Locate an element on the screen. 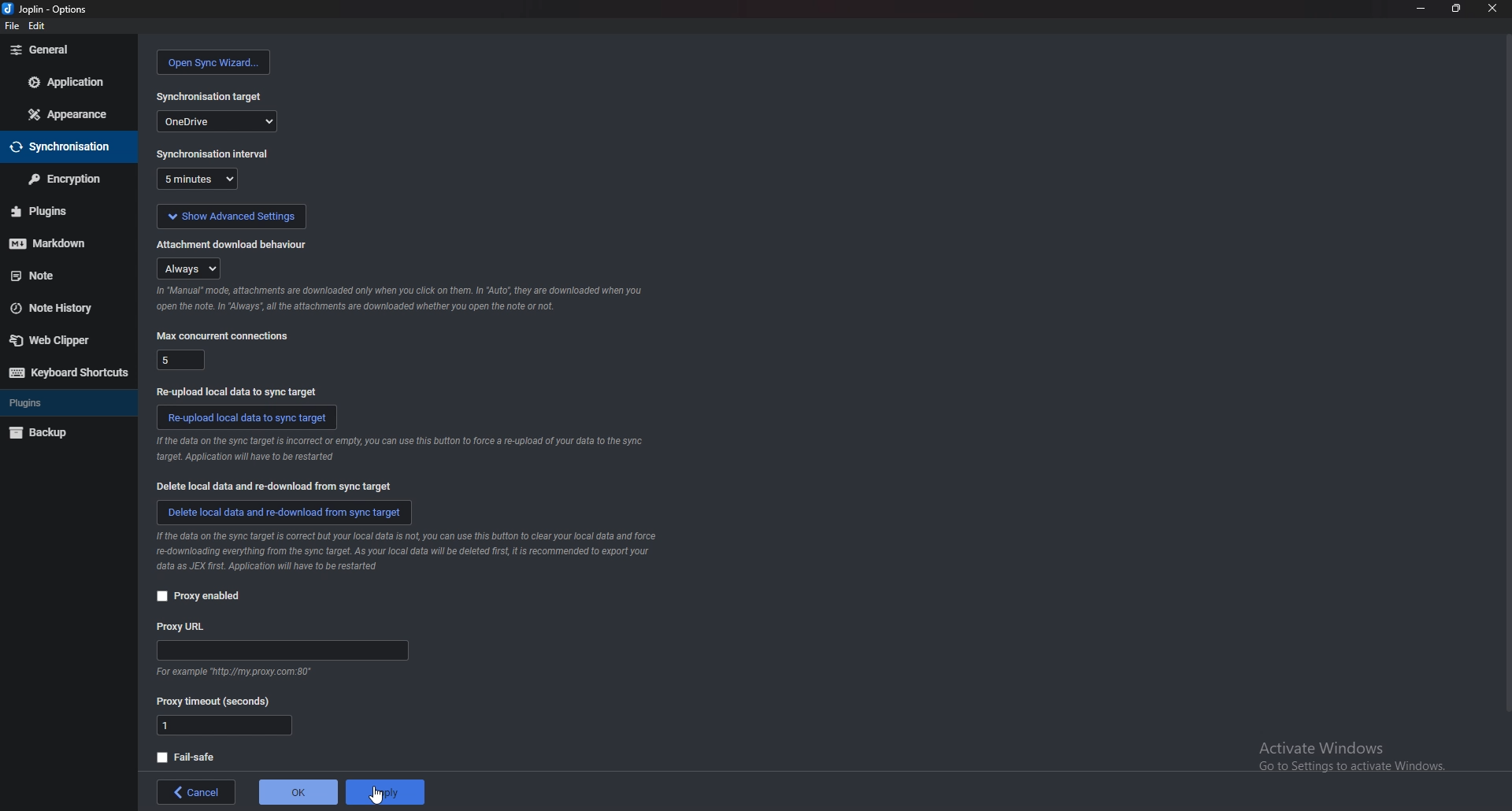 This screenshot has width=1512, height=811. proxy enabled is located at coordinates (202, 596).